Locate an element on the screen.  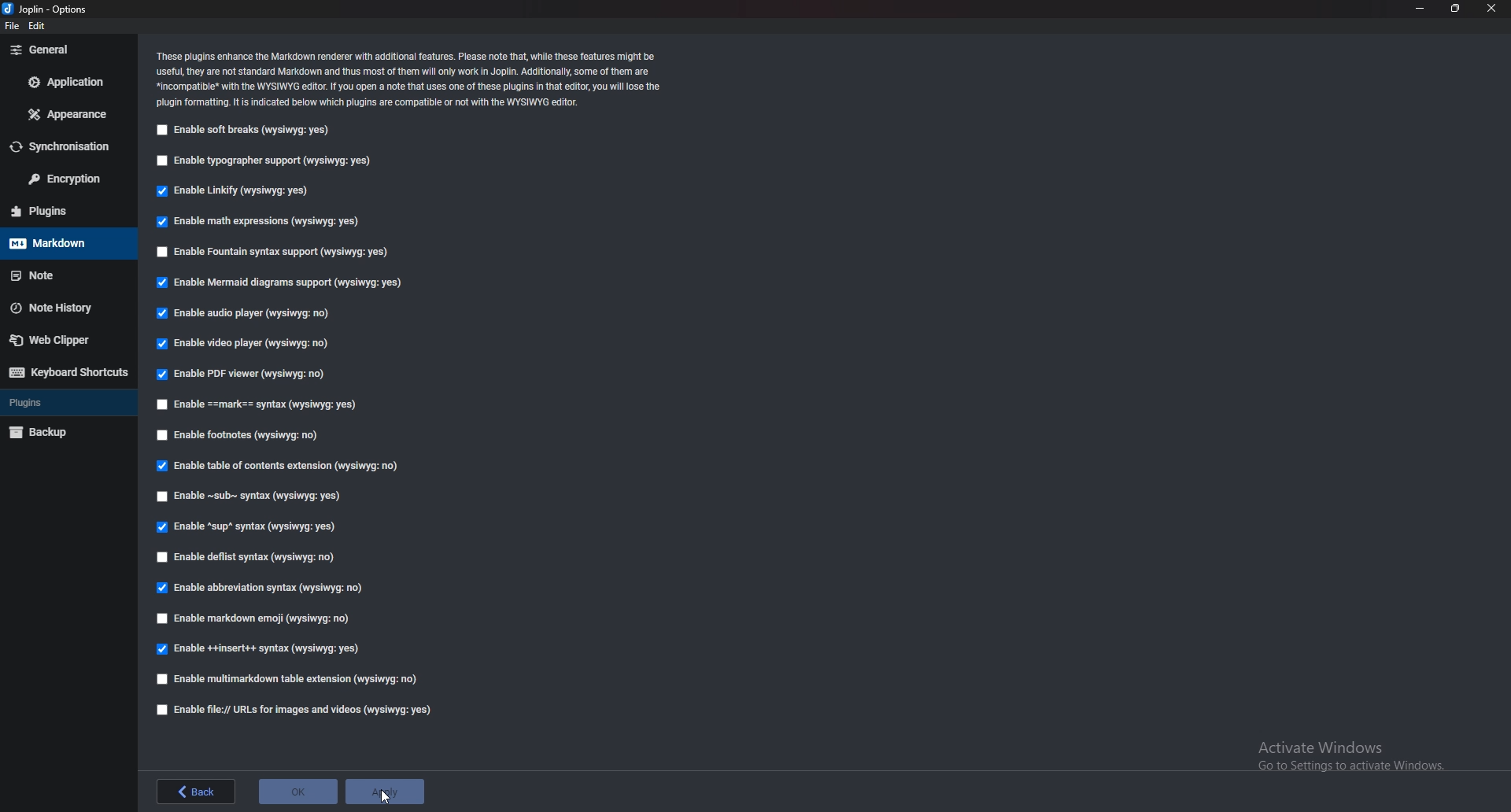
Enable abbreviation syntax is located at coordinates (257, 589).